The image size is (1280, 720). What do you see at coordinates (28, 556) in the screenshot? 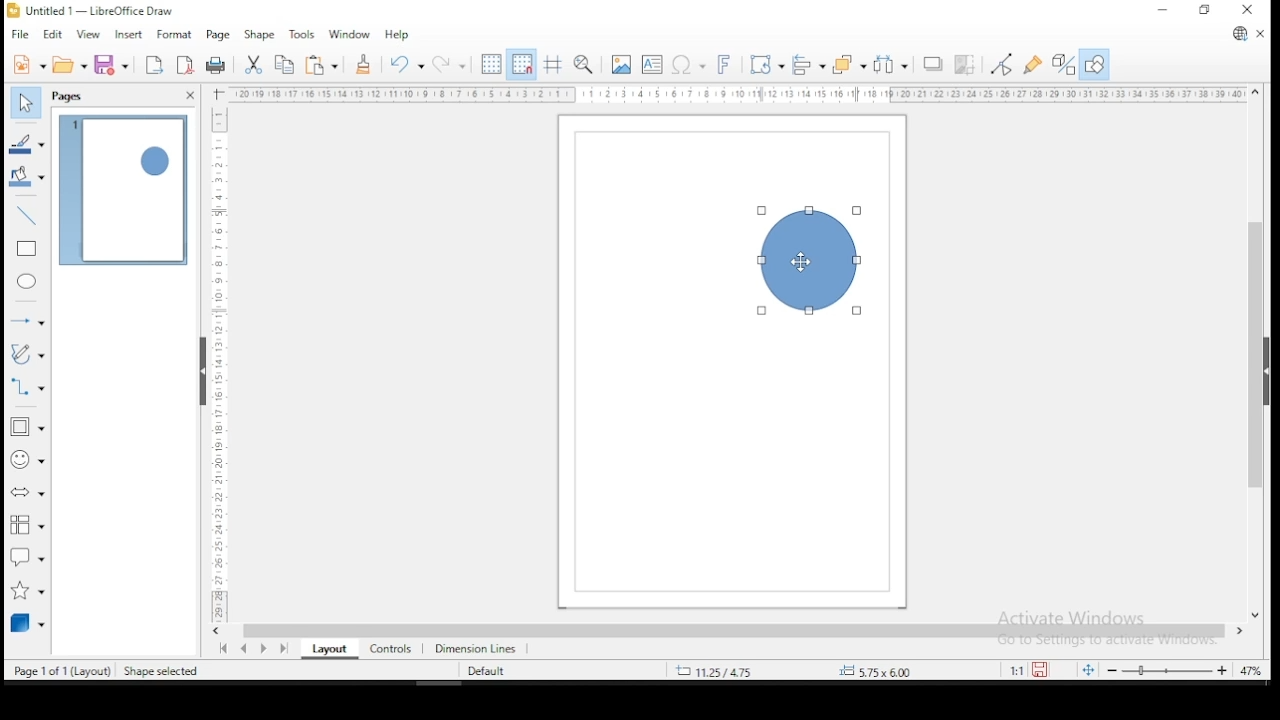
I see `callout shapes` at bounding box center [28, 556].